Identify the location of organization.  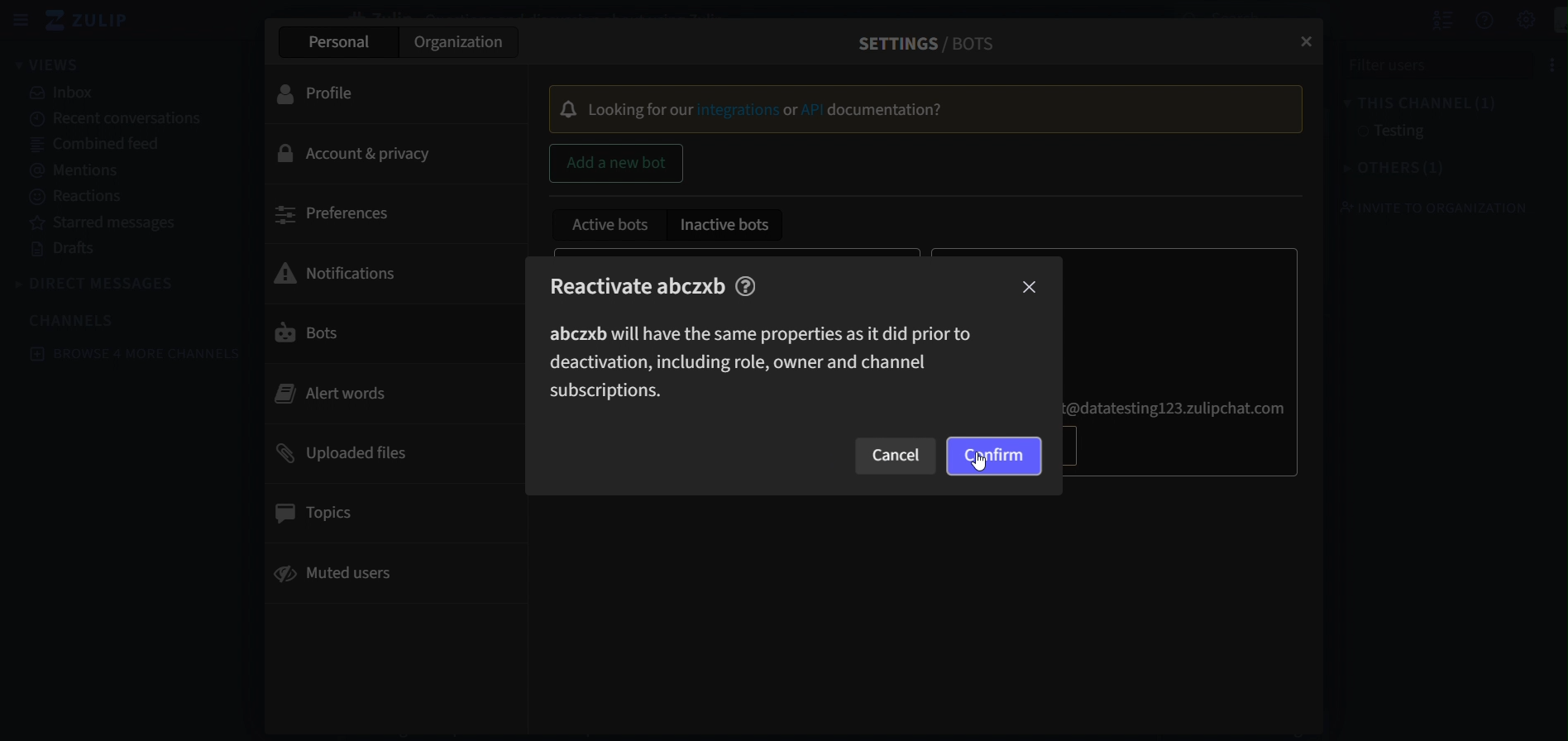
(462, 44).